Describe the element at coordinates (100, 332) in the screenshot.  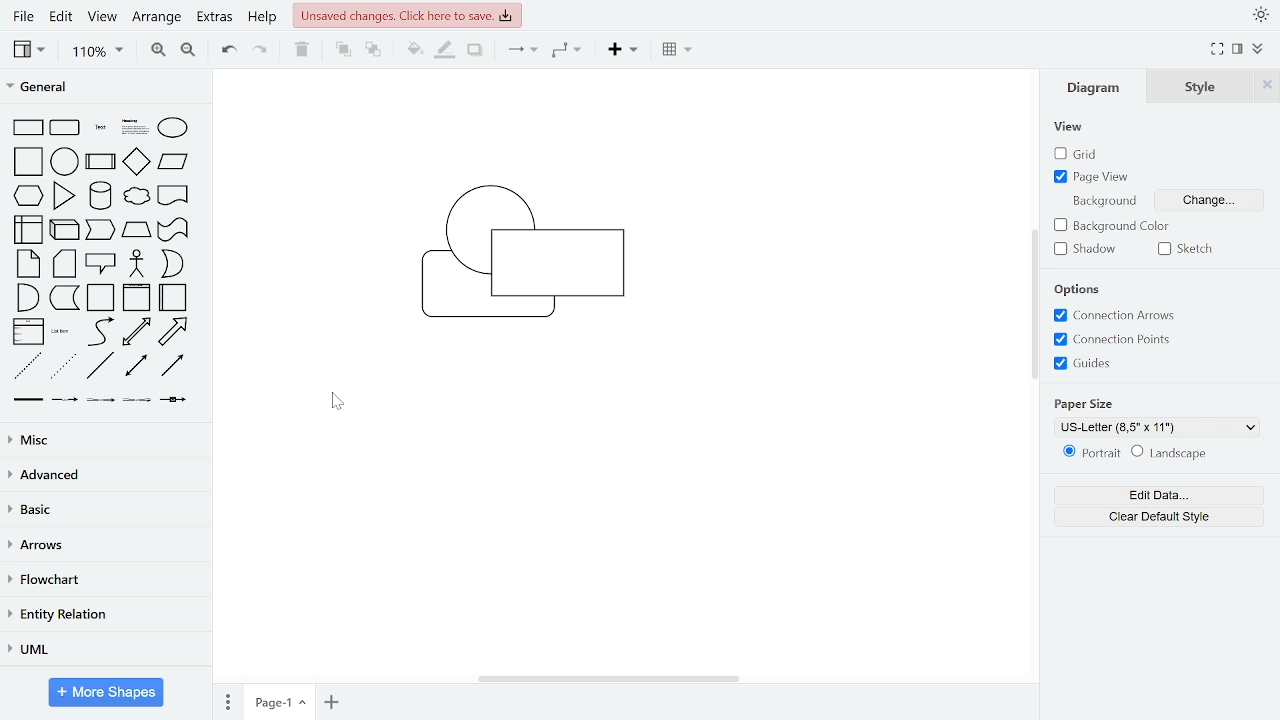
I see `curve` at that location.